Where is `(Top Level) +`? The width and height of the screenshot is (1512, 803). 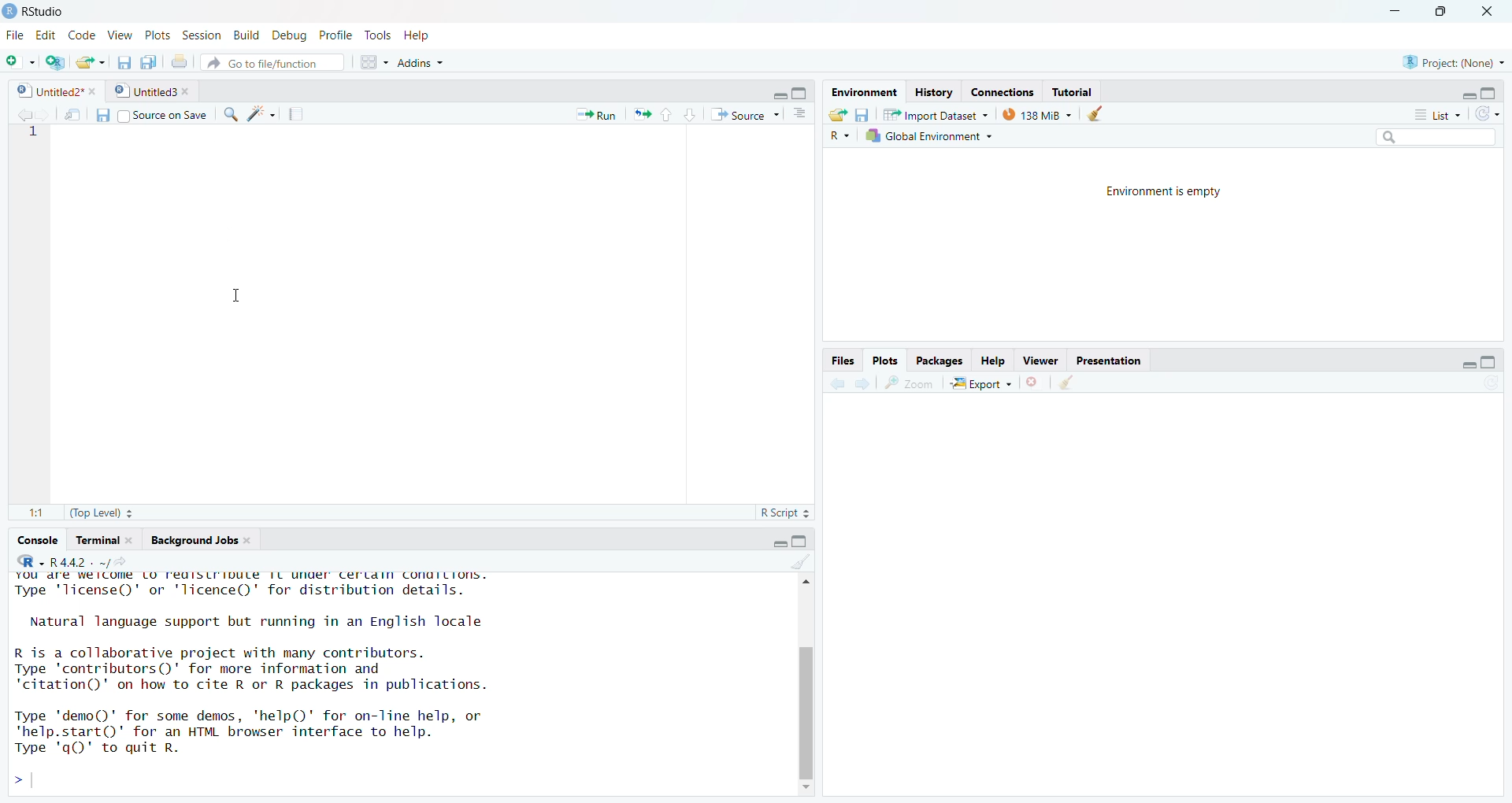
(Top Level) + is located at coordinates (108, 512).